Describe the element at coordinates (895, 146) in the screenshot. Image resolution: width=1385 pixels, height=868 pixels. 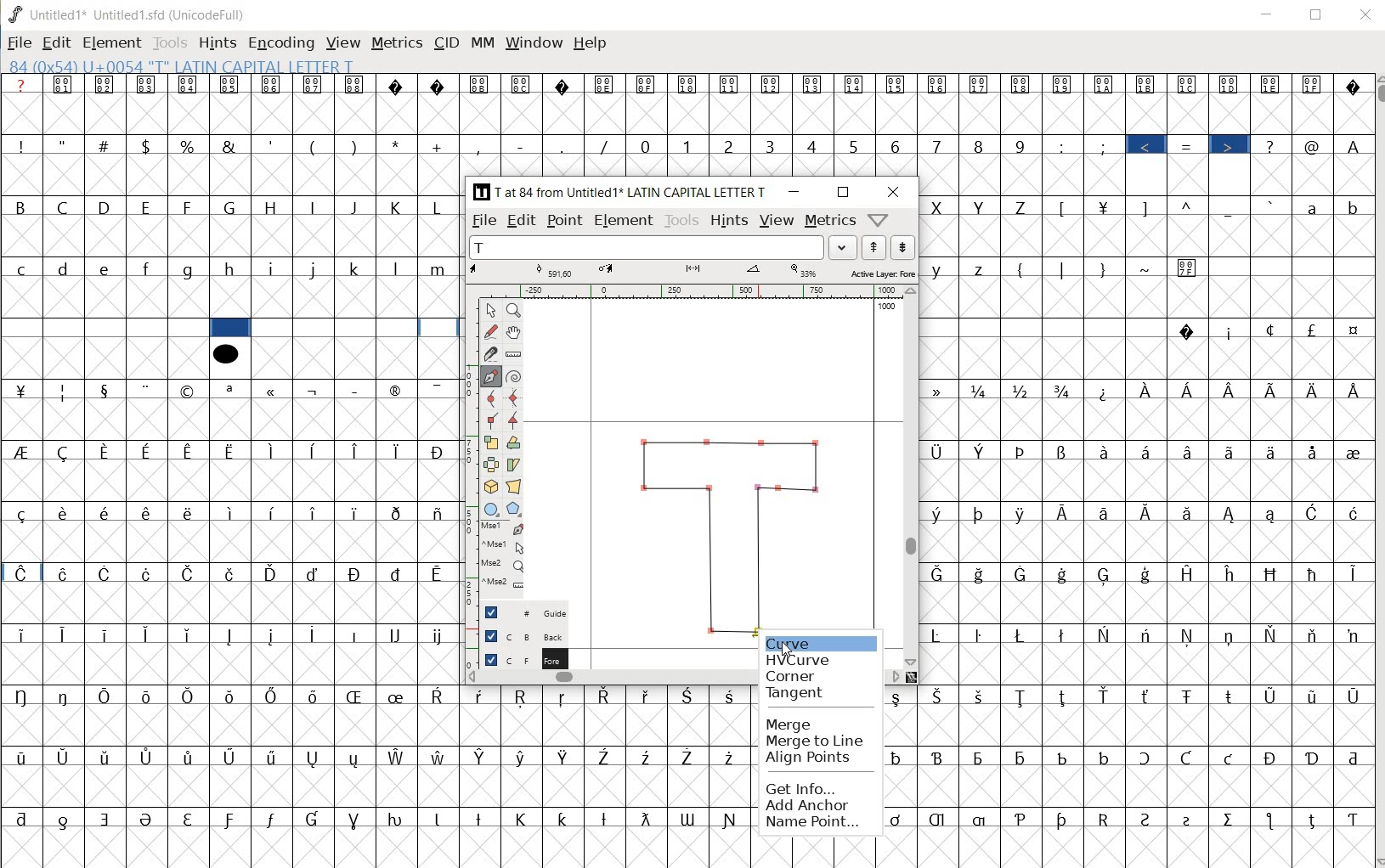
I see `6` at that location.